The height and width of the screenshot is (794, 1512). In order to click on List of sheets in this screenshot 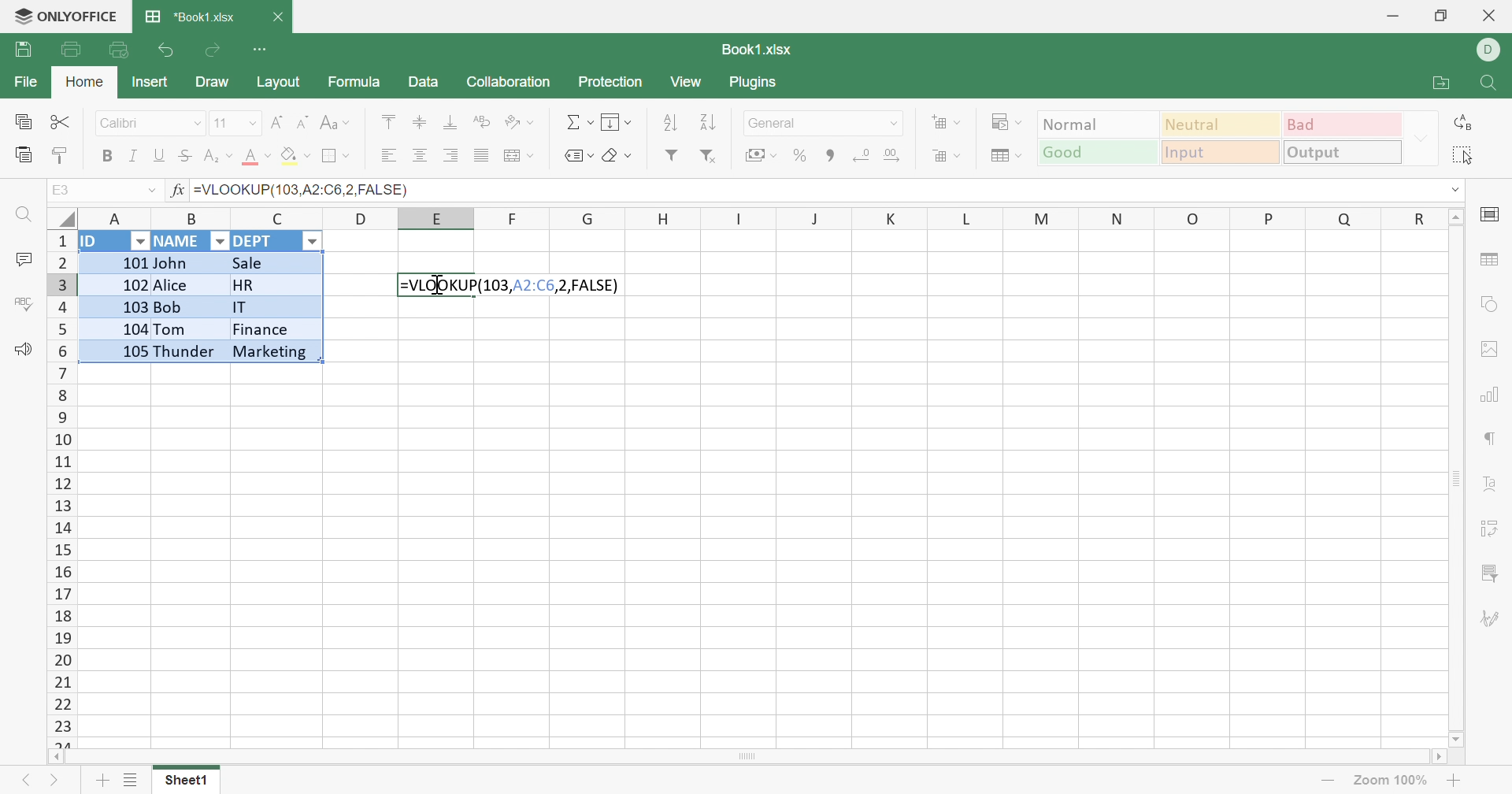, I will do `click(135, 782)`.